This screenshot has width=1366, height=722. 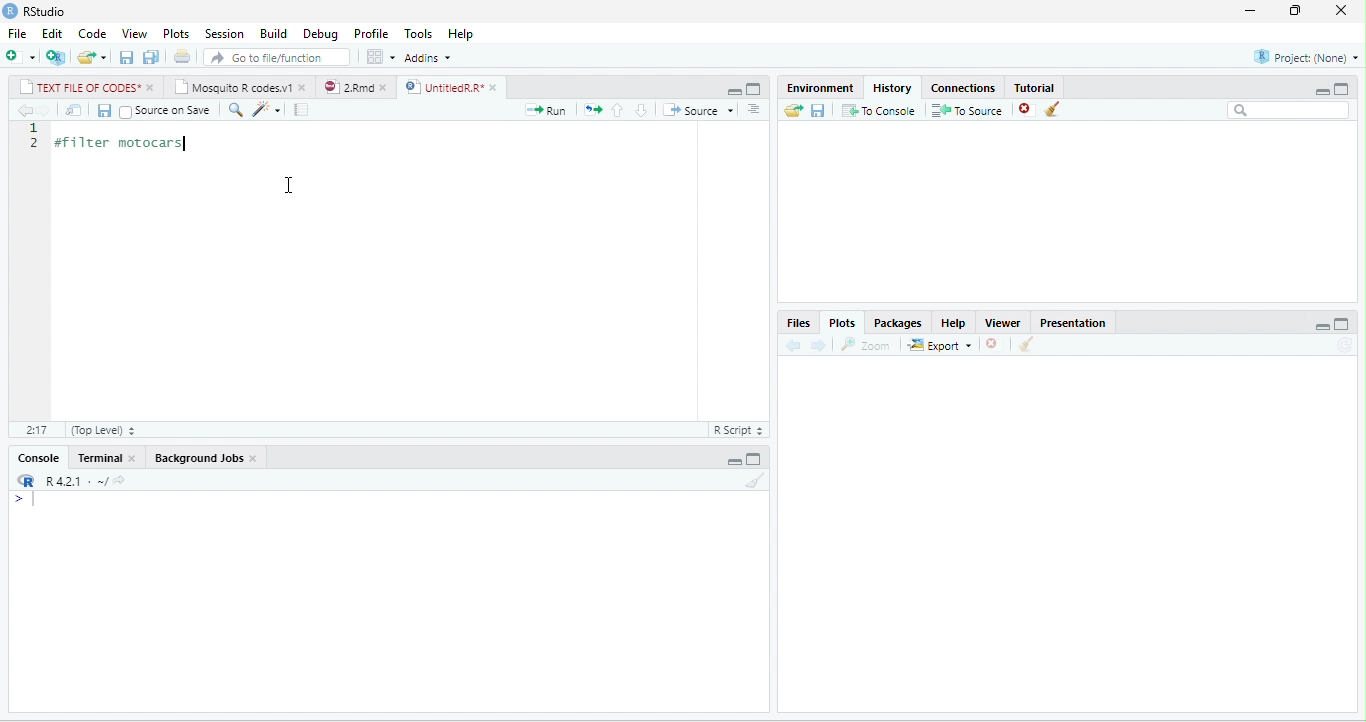 What do you see at coordinates (460, 34) in the screenshot?
I see `Help` at bounding box center [460, 34].